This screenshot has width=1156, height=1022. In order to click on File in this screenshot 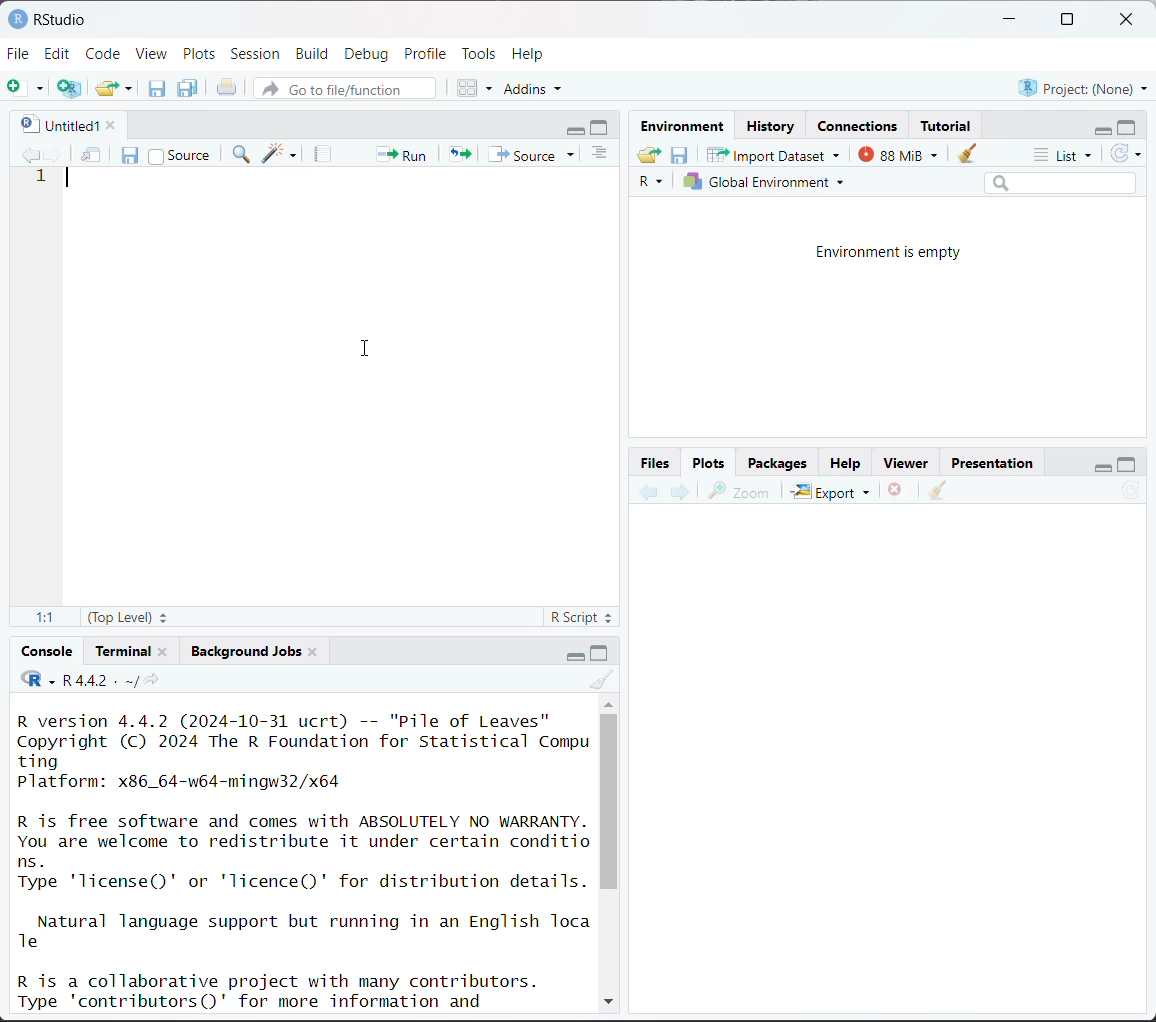, I will do `click(19, 53)`.